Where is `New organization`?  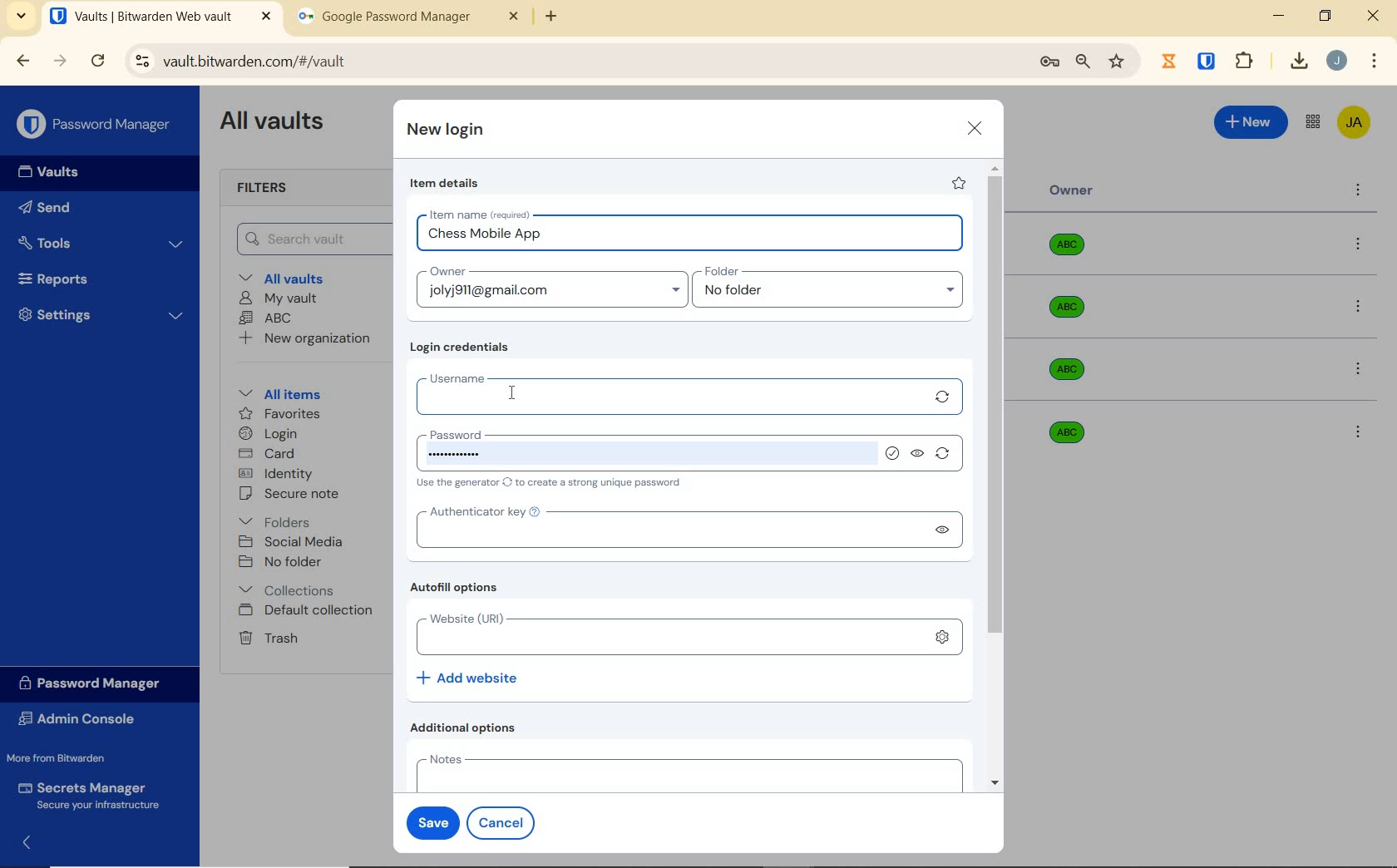
New organization is located at coordinates (303, 338).